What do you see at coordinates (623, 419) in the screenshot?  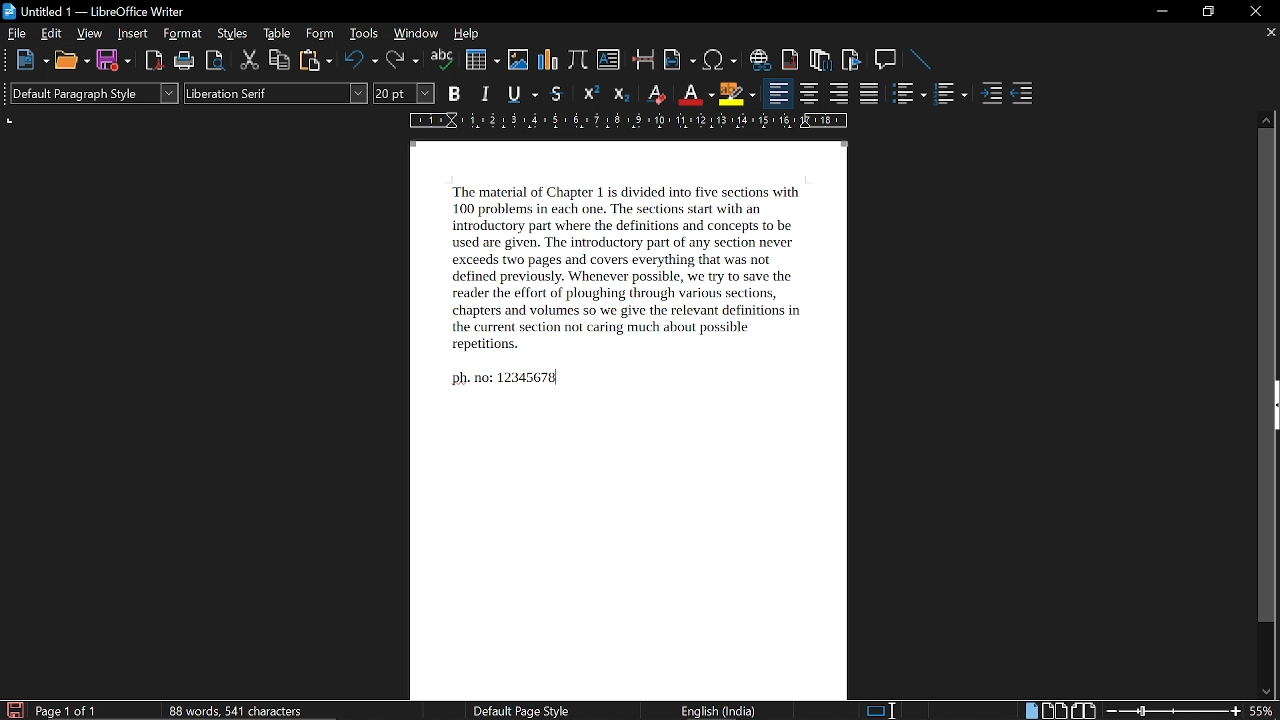 I see `The material of Chapter 1 is divided into five sections with
100 problems in each one. The sections start with an
introductory part where the definitions and concepts to be
used are given. The introductory part of any section never
exceeds two pages and covers everything that was not
defined previously. Whenever possible, we try to save the
reader the effort of ploughing through various sections,
chapters and volumes so we give the relevant definitions in
the current section not caring much about possible
repetitions.

ph. no: 12345674` at bounding box center [623, 419].